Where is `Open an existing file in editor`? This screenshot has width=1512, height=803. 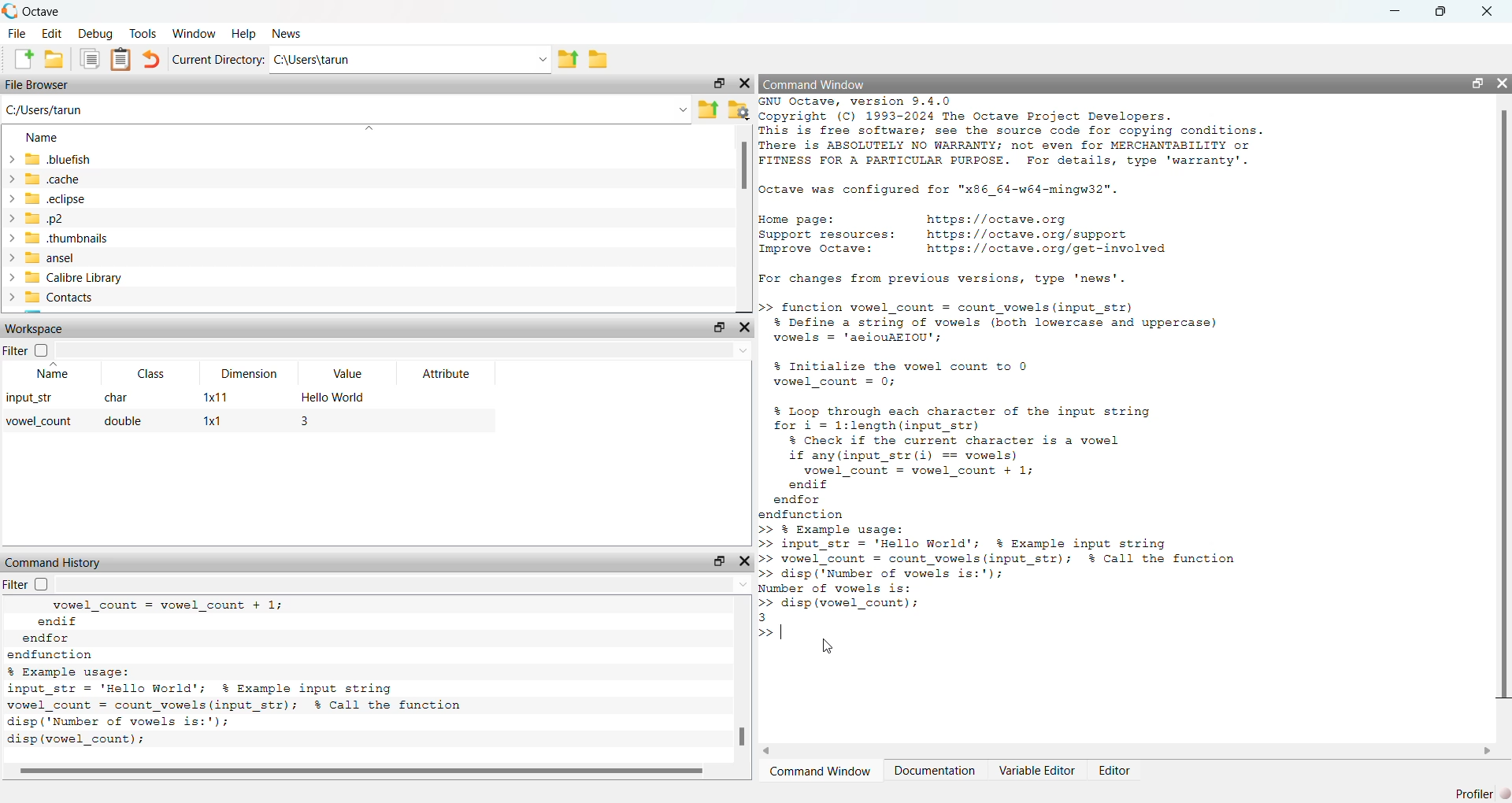 Open an existing file in editor is located at coordinates (54, 58).